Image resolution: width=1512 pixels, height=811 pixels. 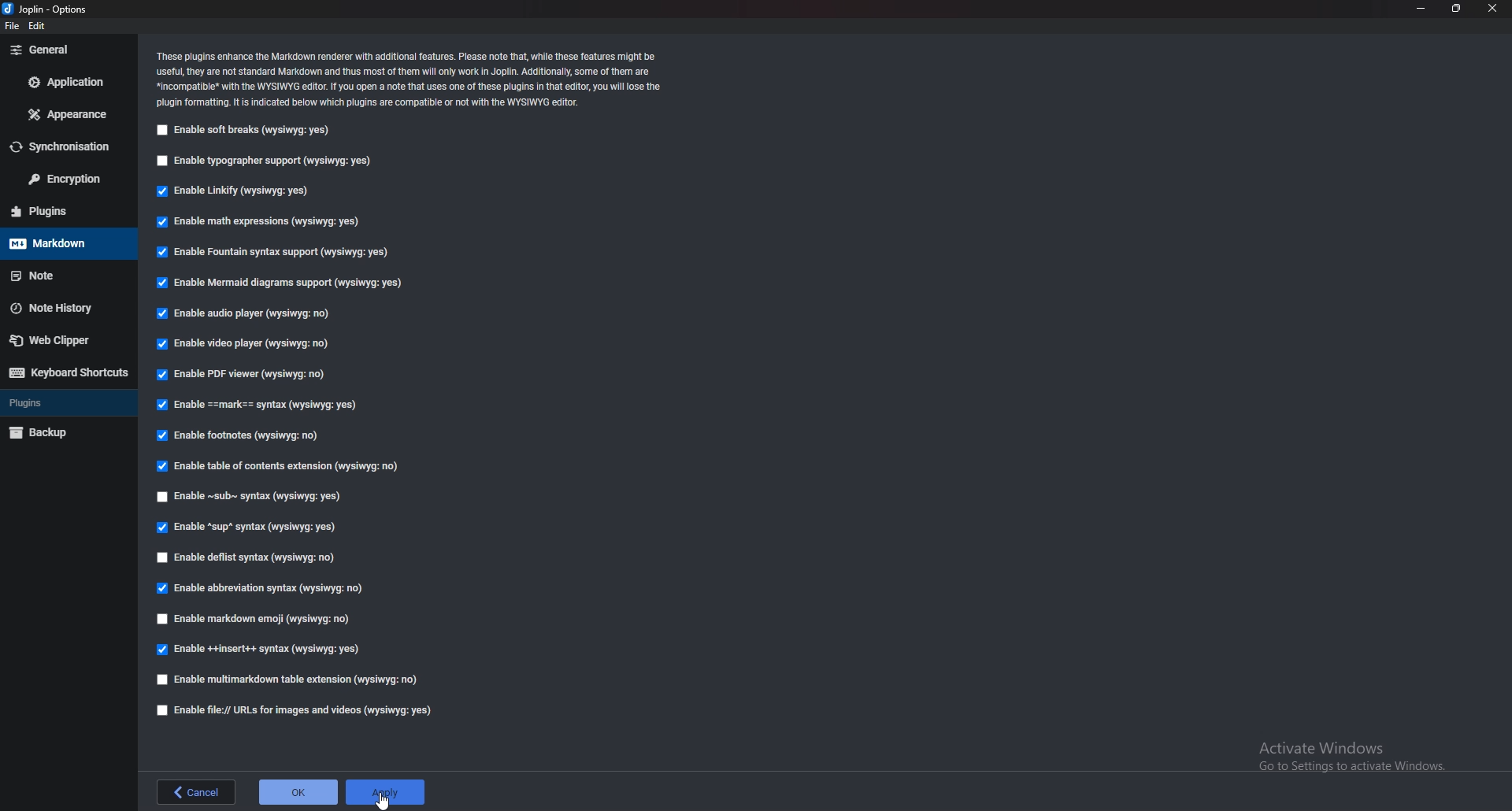 What do you see at coordinates (64, 147) in the screenshot?
I see `Synchronization` at bounding box center [64, 147].